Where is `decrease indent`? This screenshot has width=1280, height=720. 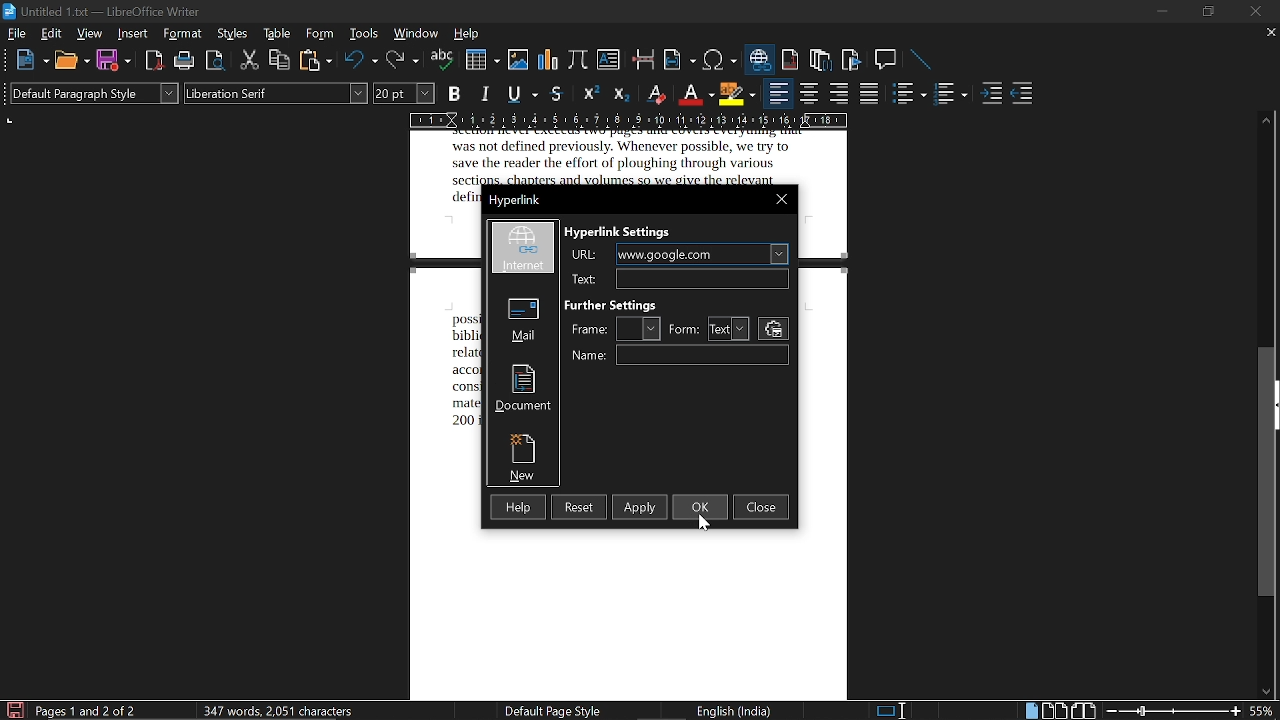 decrease indent is located at coordinates (1023, 97).